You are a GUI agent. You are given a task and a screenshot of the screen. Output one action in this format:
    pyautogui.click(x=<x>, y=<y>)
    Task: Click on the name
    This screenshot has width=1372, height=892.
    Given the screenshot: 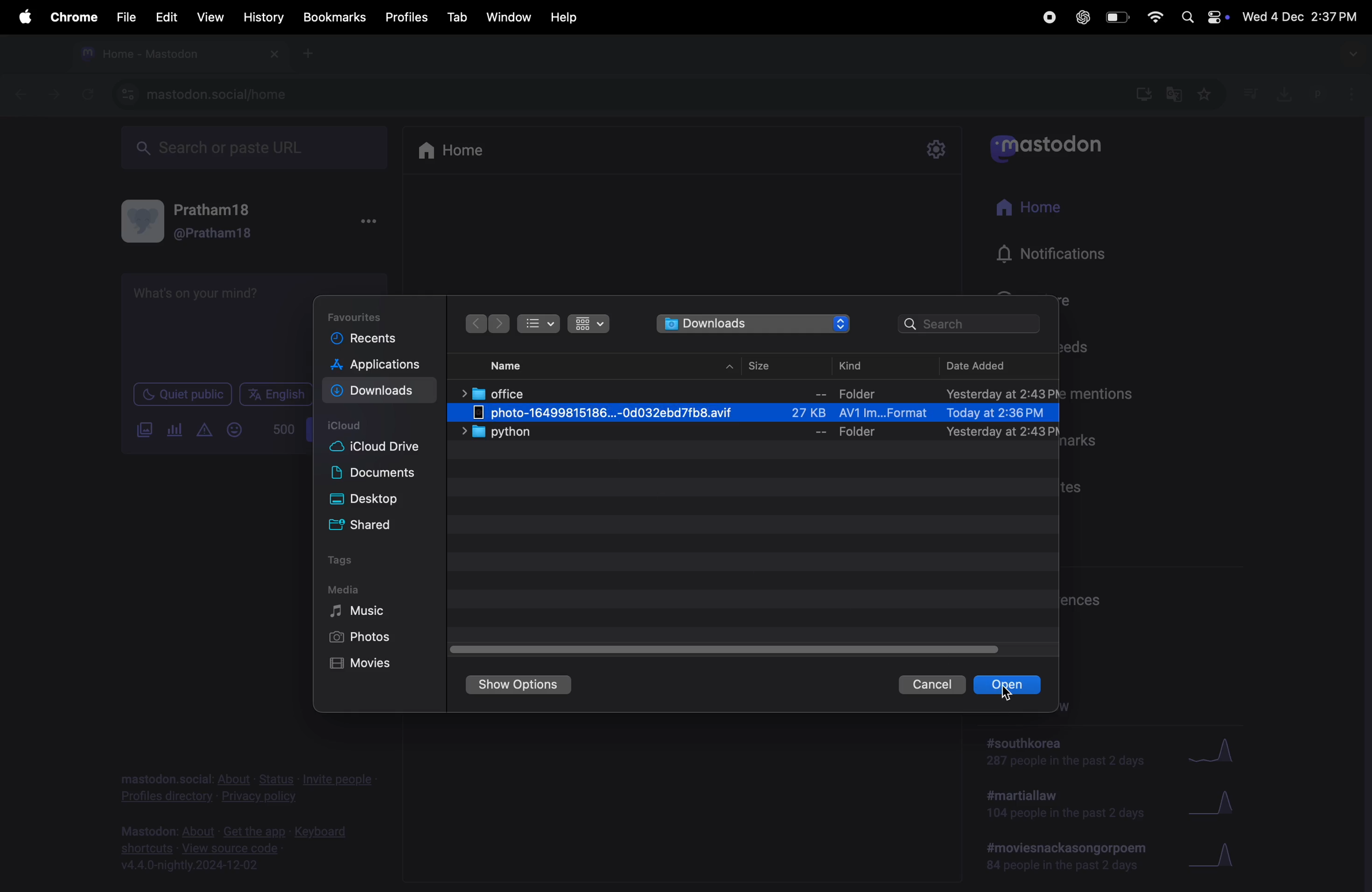 What is the action you would take?
    pyautogui.click(x=507, y=366)
    